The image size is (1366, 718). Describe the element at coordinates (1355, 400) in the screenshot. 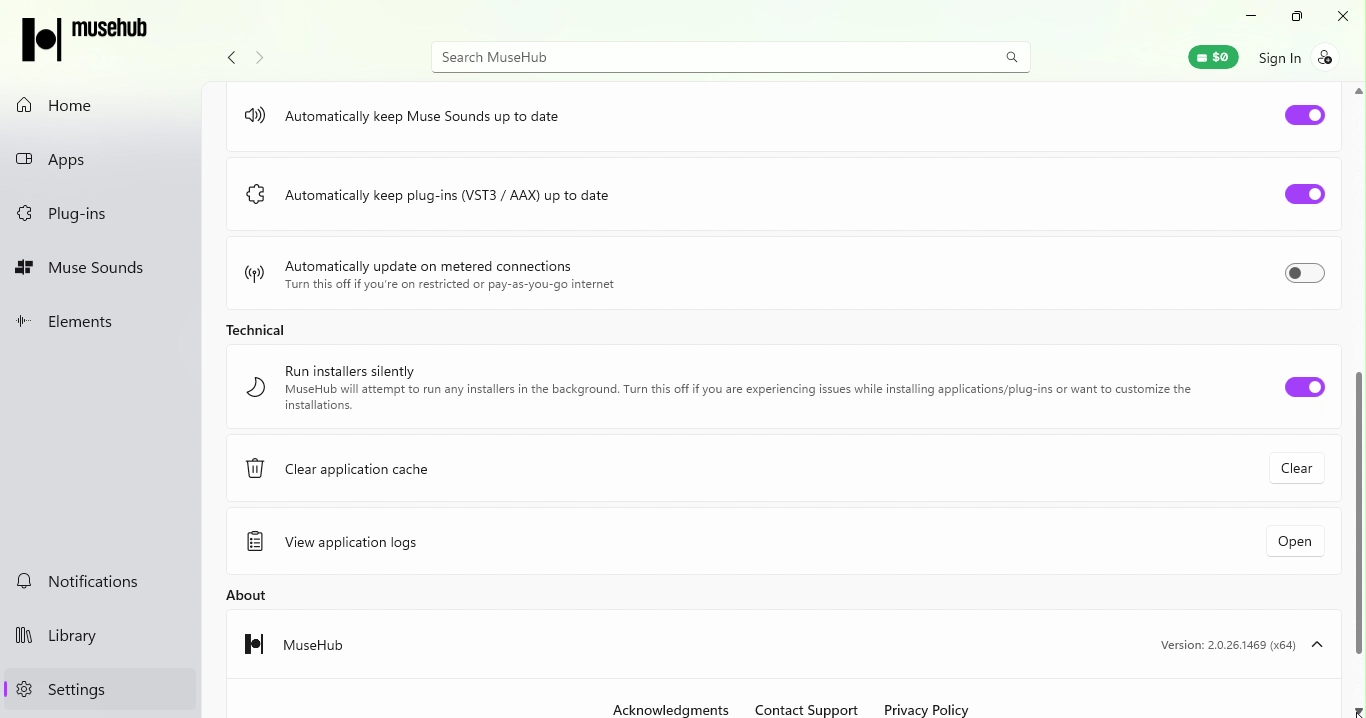

I see `Vertical scroll bar` at that location.